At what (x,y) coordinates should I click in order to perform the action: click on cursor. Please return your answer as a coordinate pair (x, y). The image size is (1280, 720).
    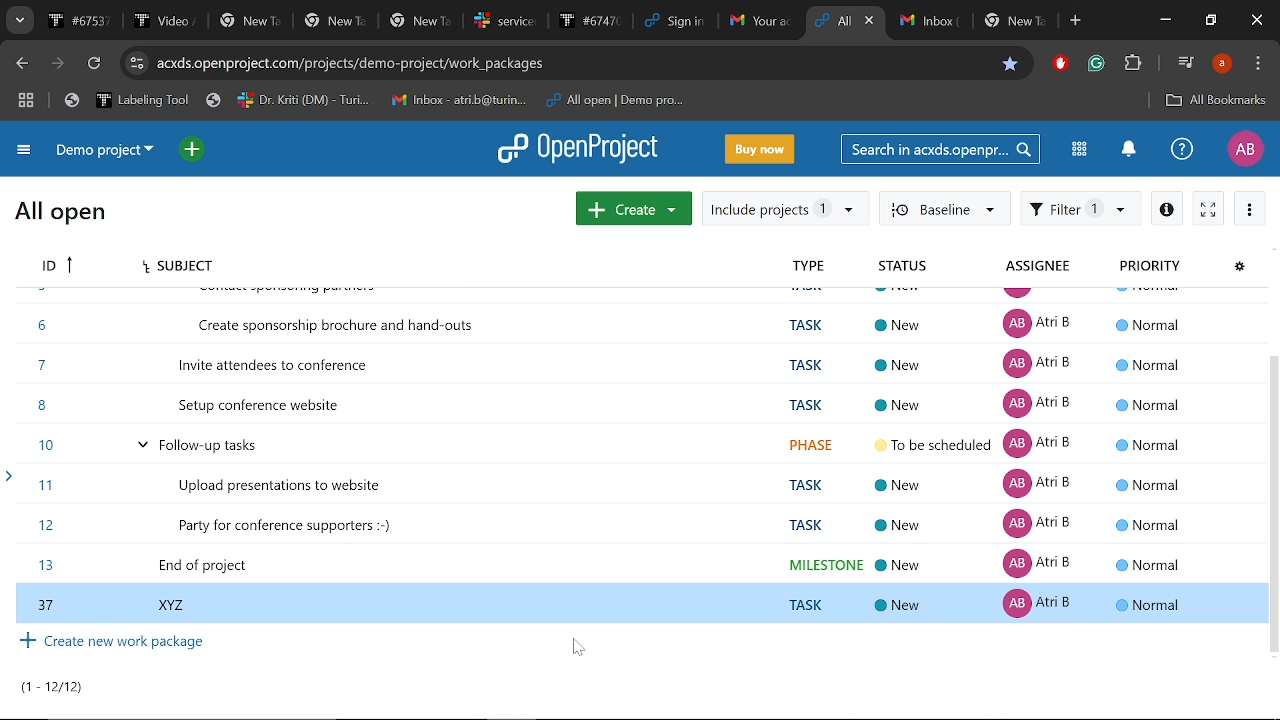
    Looking at the image, I should click on (572, 648).